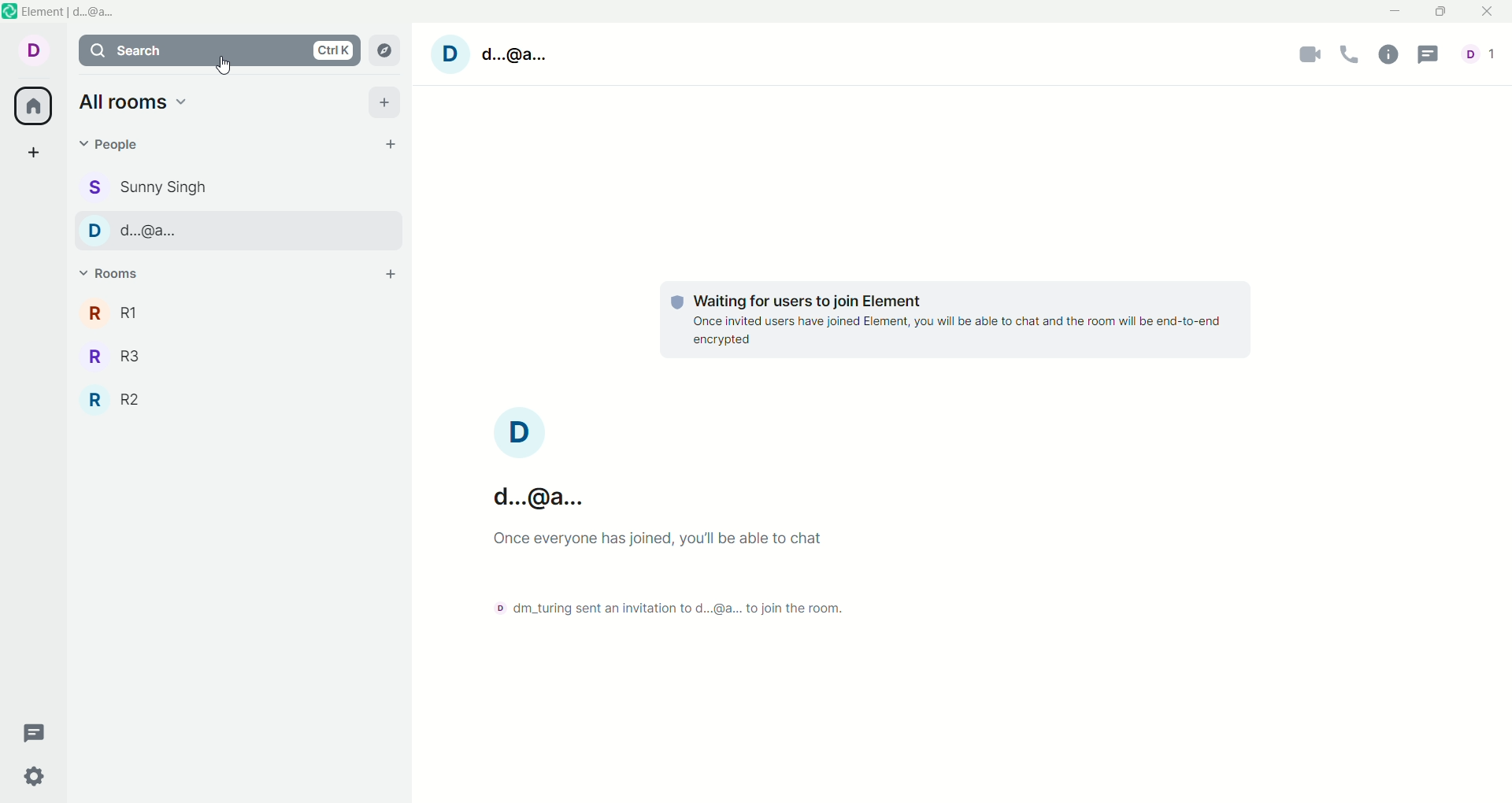 The width and height of the screenshot is (1512, 803). Describe the element at coordinates (517, 430) in the screenshot. I see `account` at that location.